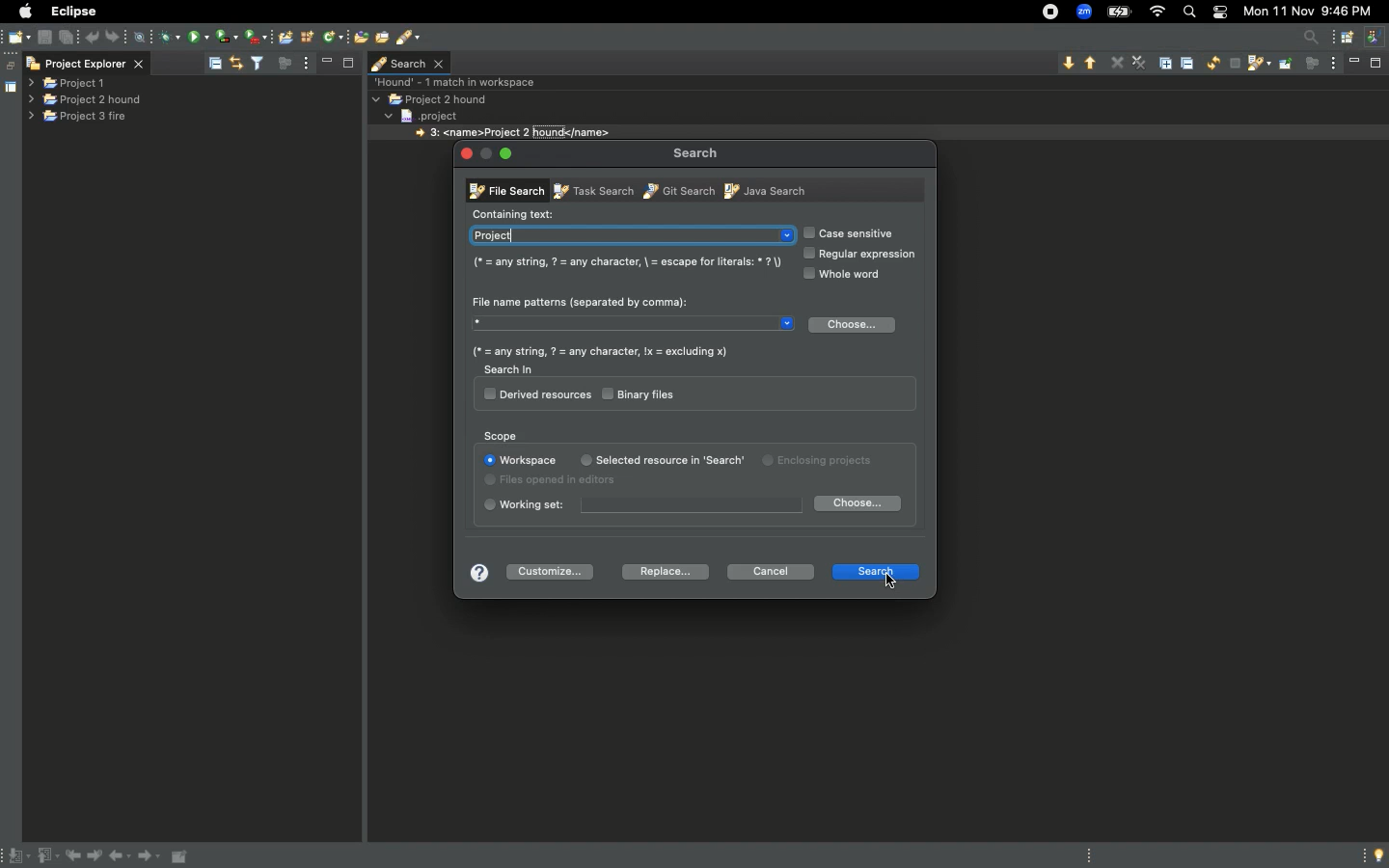 The height and width of the screenshot is (868, 1389). Describe the element at coordinates (641, 393) in the screenshot. I see `Binary files` at that location.